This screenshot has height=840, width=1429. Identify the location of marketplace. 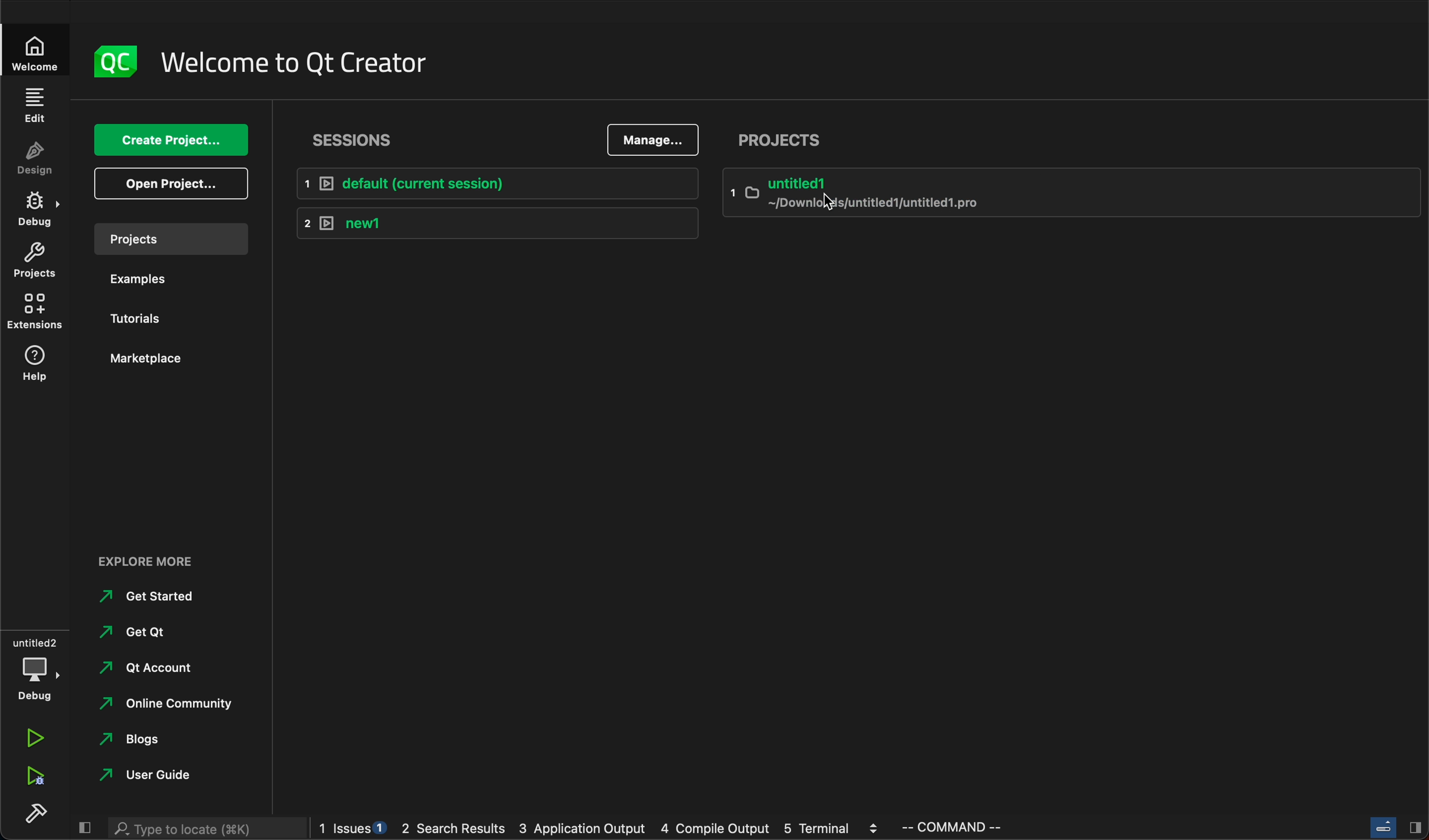
(167, 358).